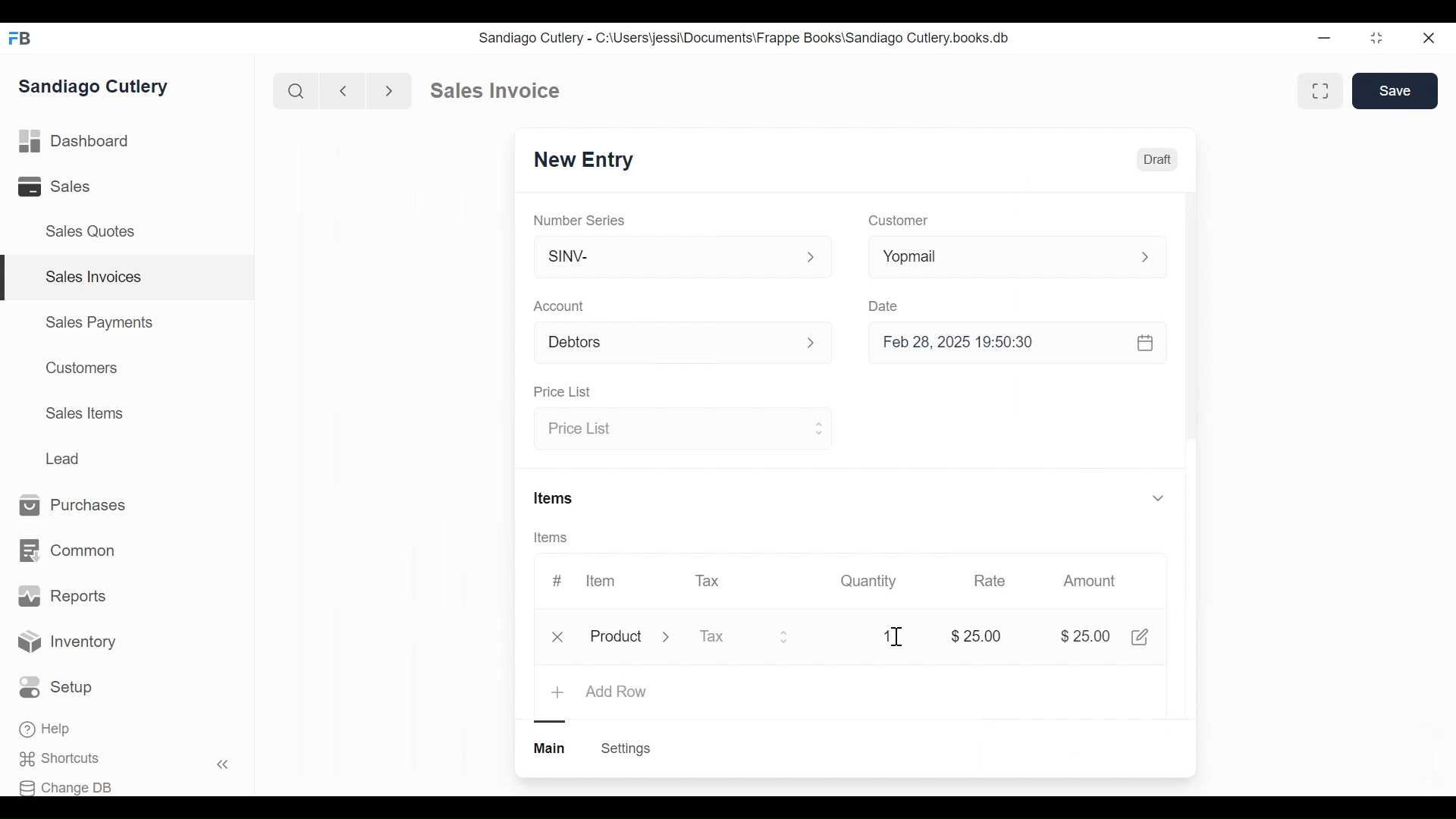 This screenshot has height=819, width=1456. I want to click on Tax, so click(708, 580).